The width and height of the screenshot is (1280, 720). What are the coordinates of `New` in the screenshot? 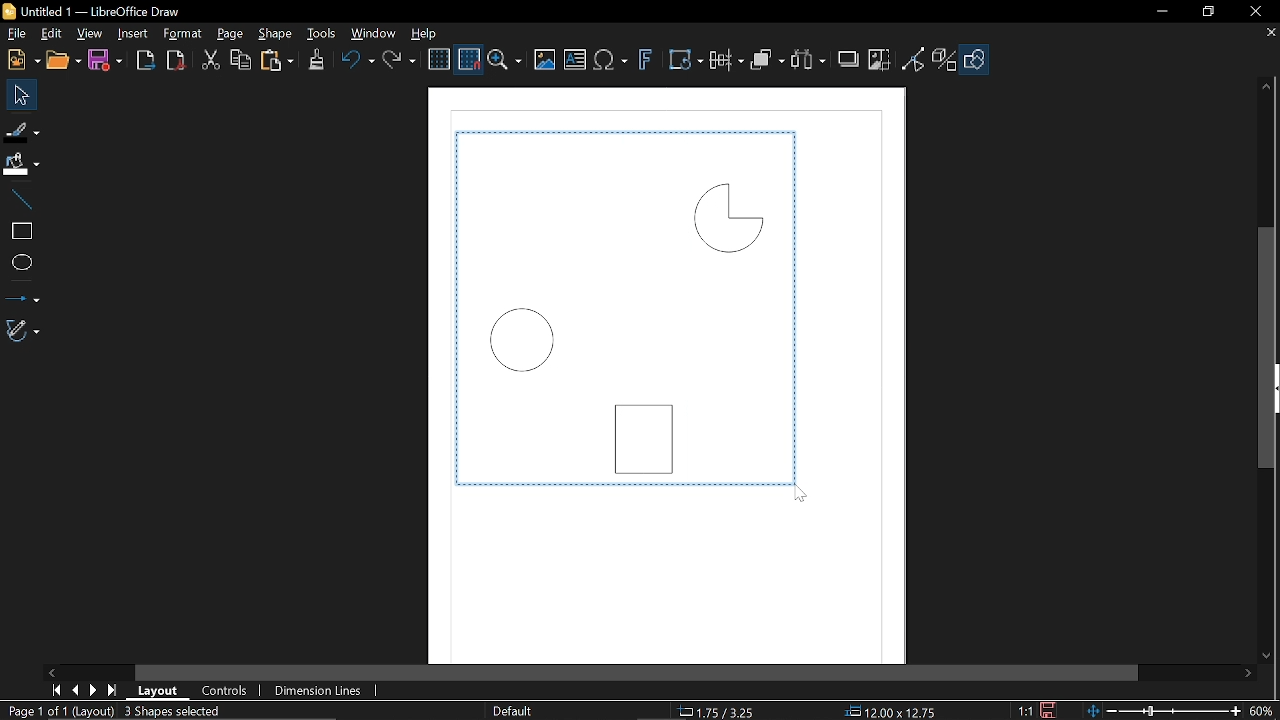 It's located at (22, 61).